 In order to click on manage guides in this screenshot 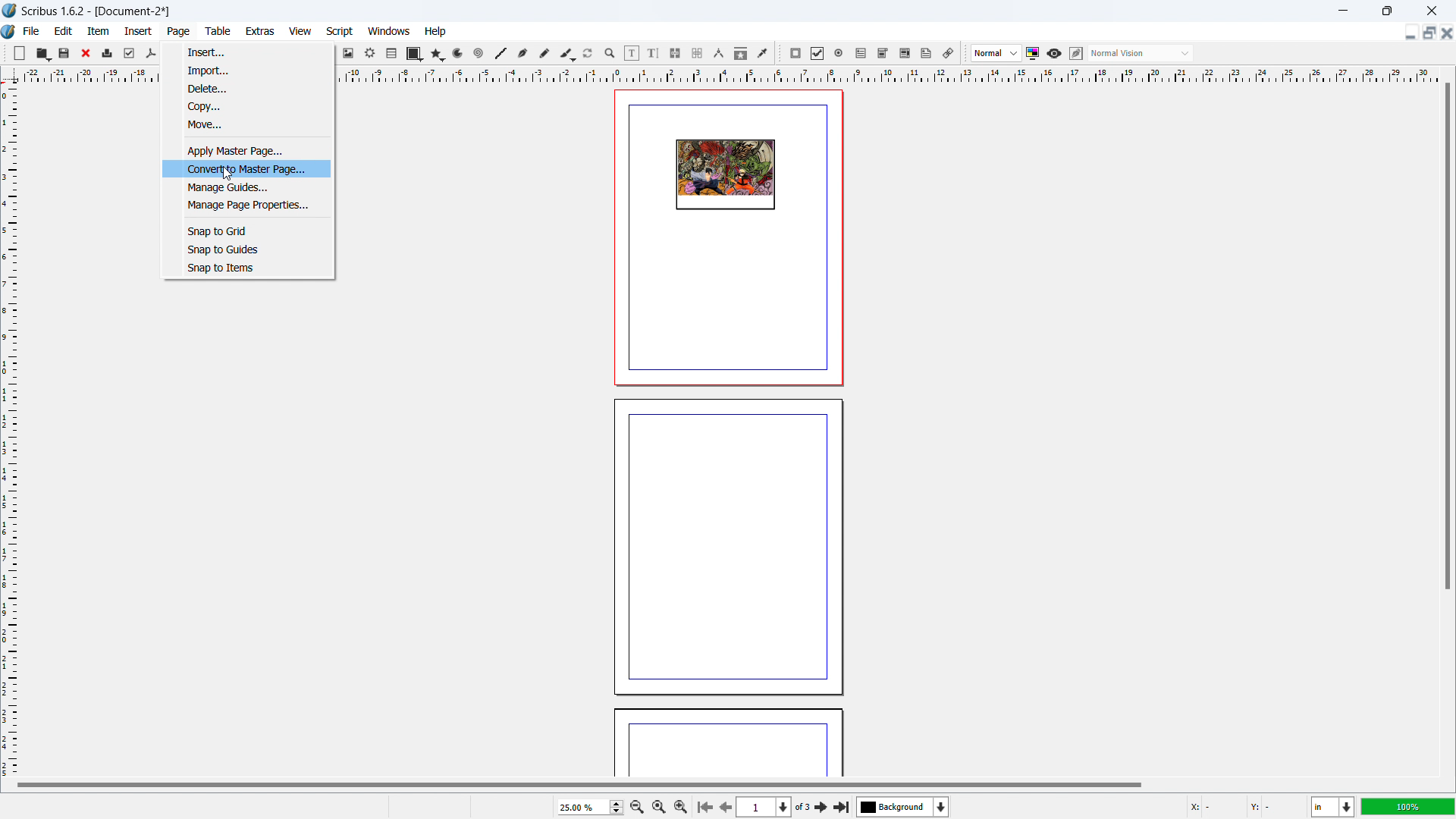, I will do `click(248, 187)`.